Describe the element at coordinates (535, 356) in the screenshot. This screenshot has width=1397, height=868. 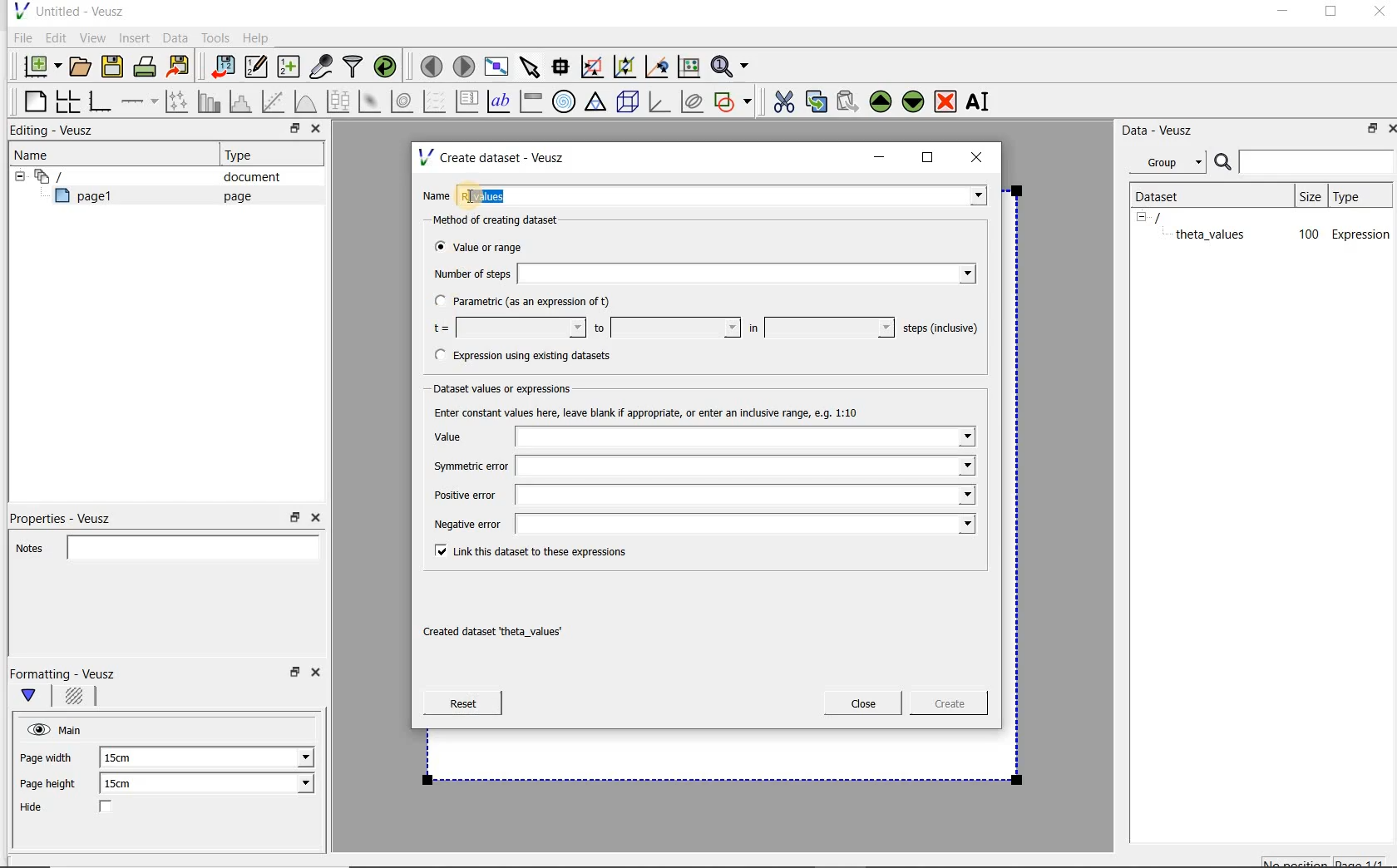
I see `(® Expression using existing datasets` at that location.